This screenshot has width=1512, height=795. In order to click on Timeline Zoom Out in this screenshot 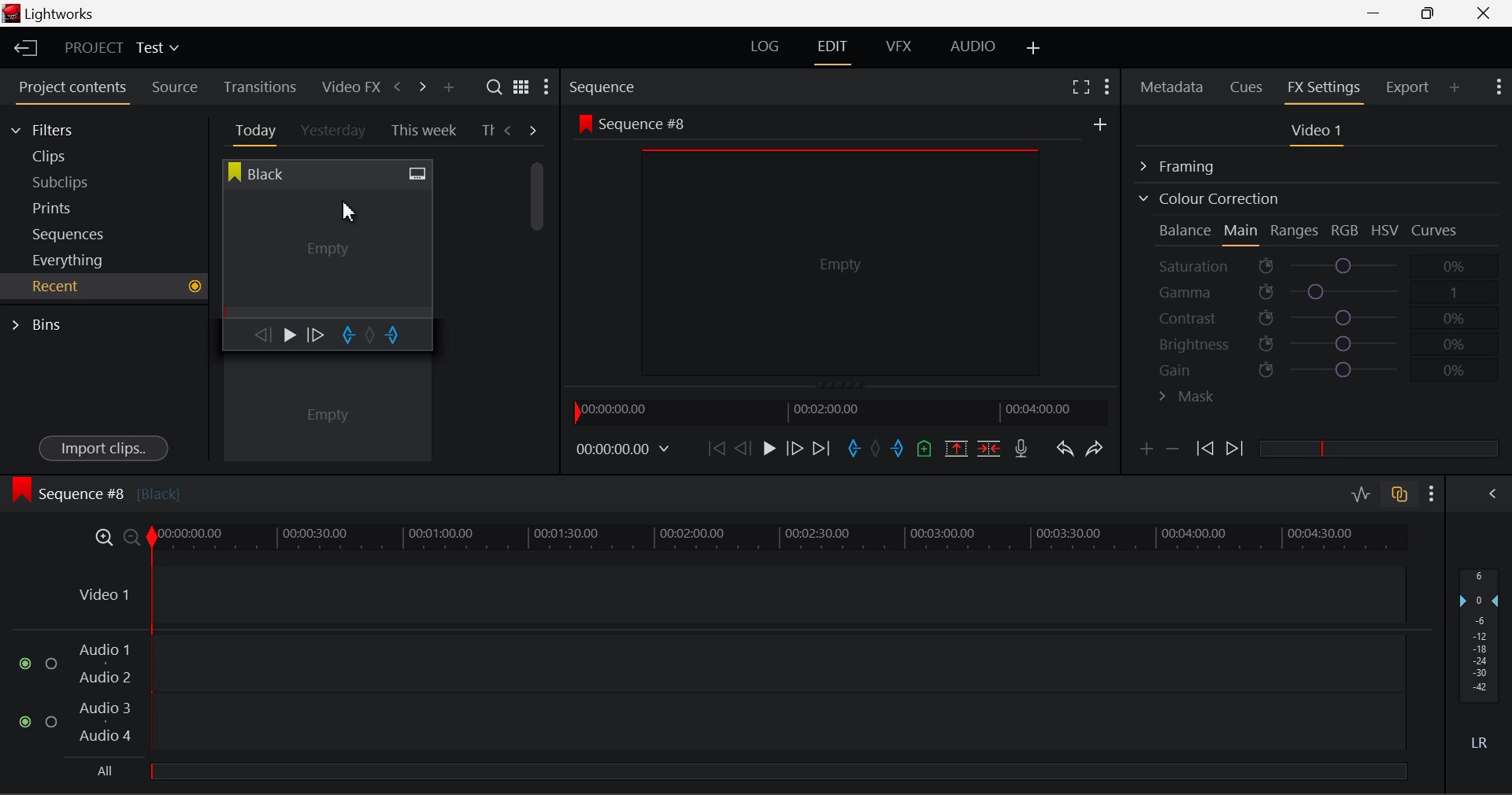, I will do `click(131, 537)`.